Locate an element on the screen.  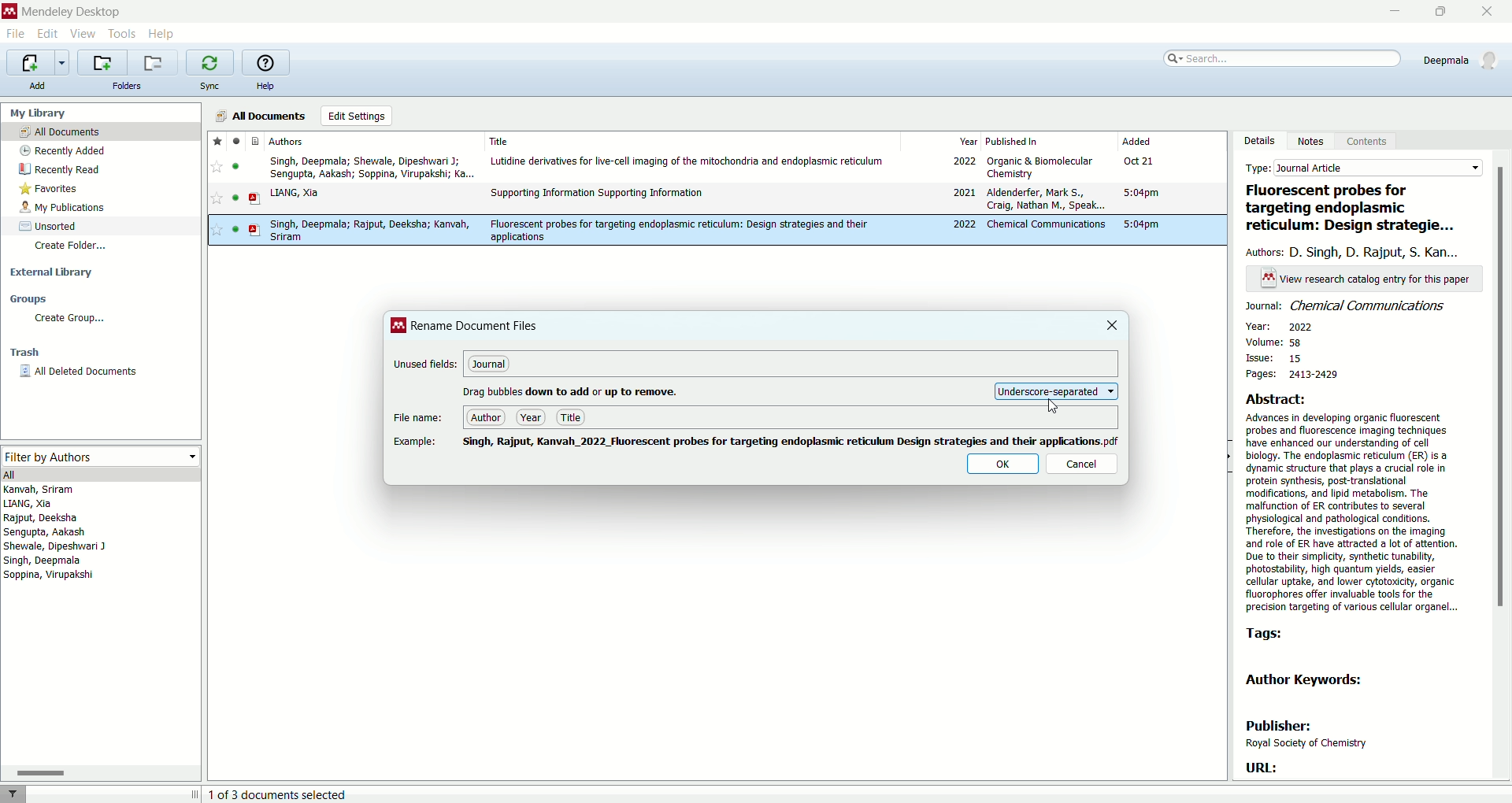
5:04pm is located at coordinates (1141, 193).